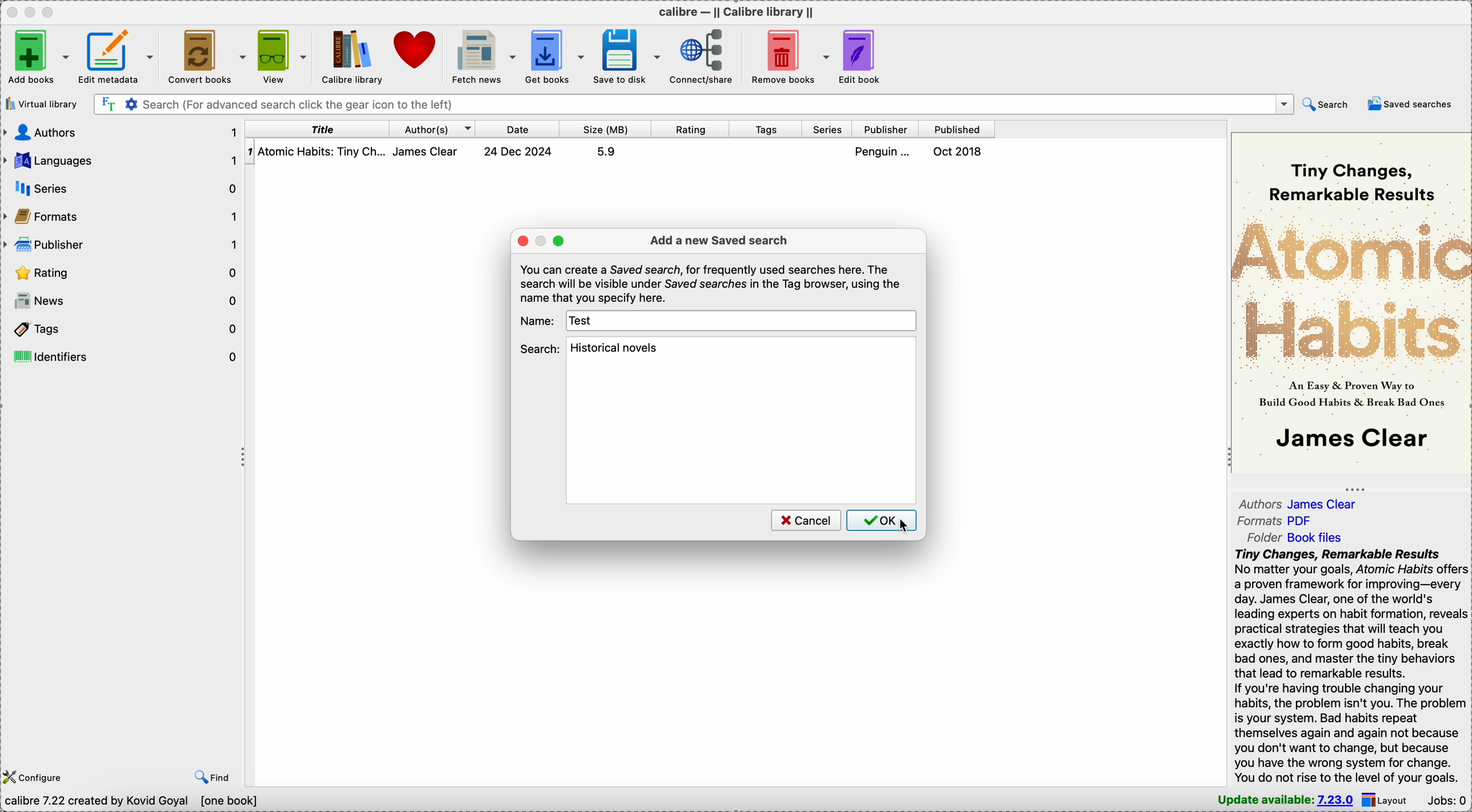  What do you see at coordinates (885, 151) in the screenshot?
I see `penguin...` at bounding box center [885, 151].